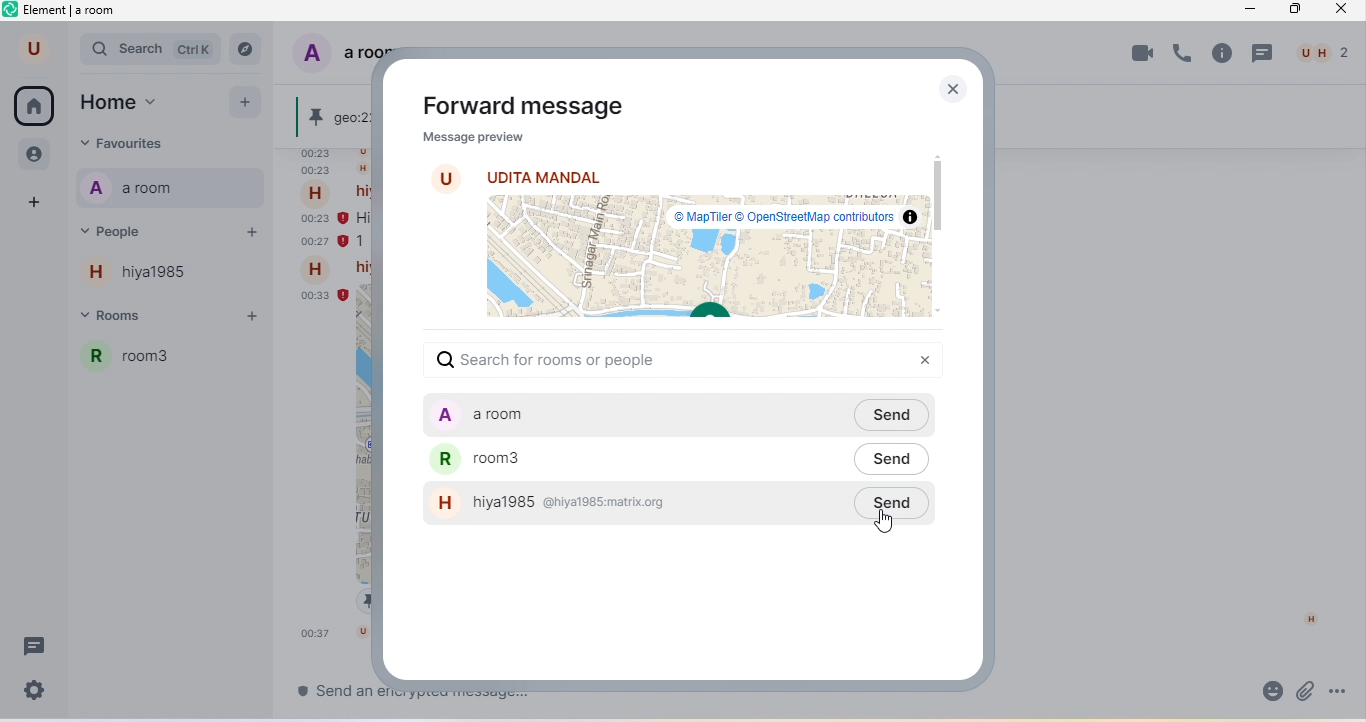 The image size is (1366, 722). What do you see at coordinates (1345, 12) in the screenshot?
I see `close` at bounding box center [1345, 12].